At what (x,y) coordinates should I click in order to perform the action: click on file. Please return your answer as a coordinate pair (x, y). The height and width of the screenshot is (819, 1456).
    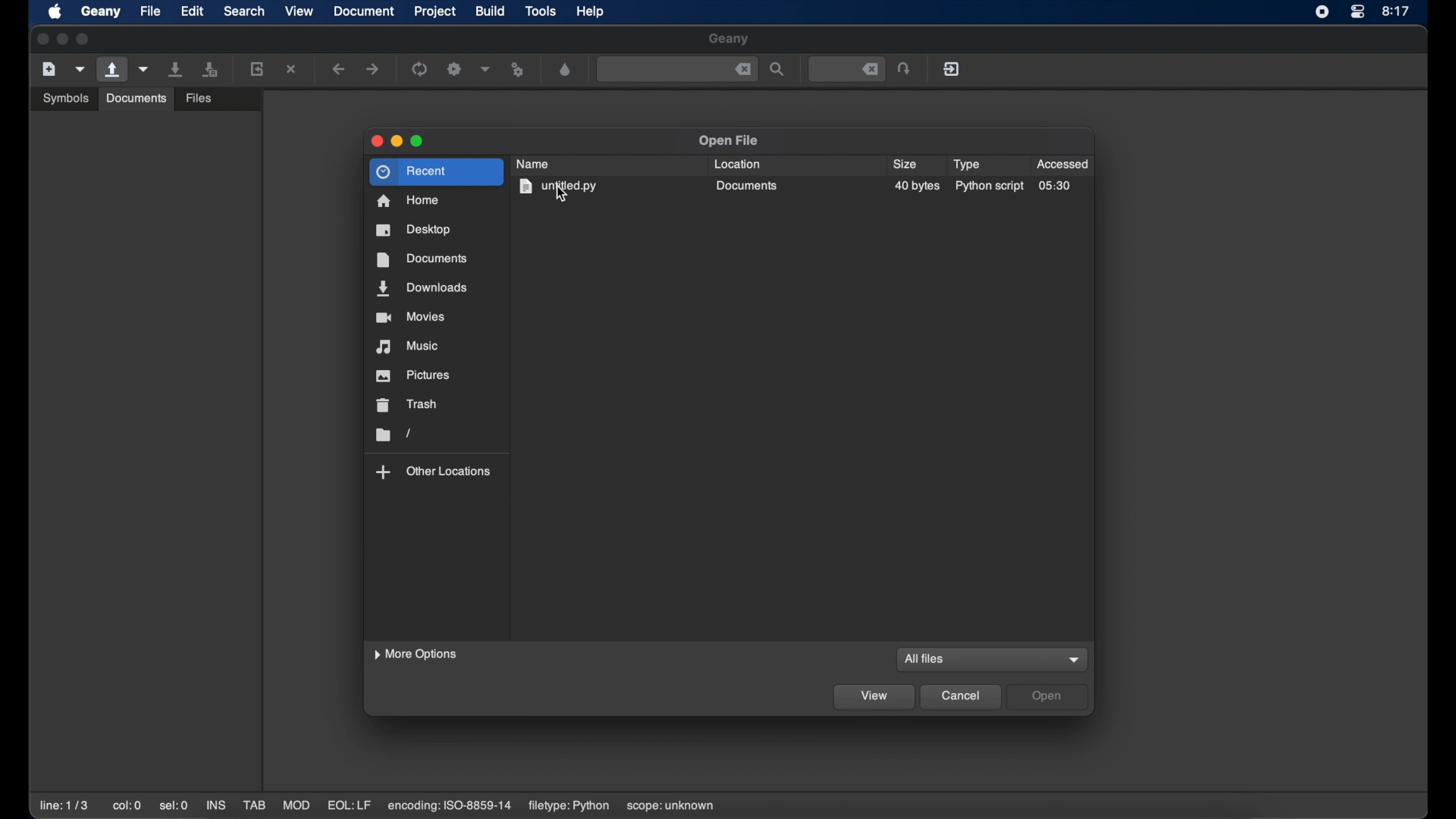
    Looking at the image, I should click on (150, 11).